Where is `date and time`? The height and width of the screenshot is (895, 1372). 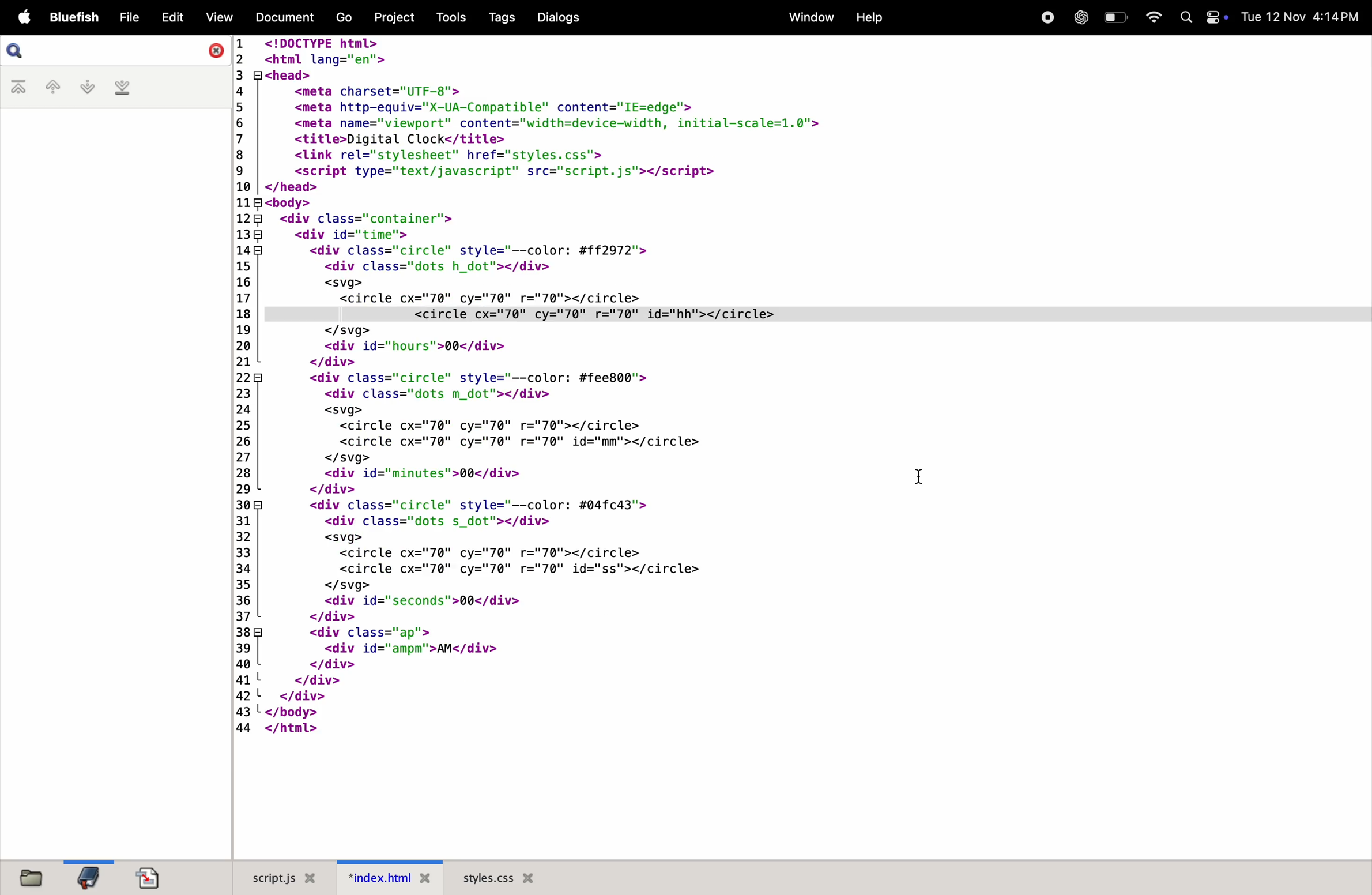 date and time is located at coordinates (1304, 17).